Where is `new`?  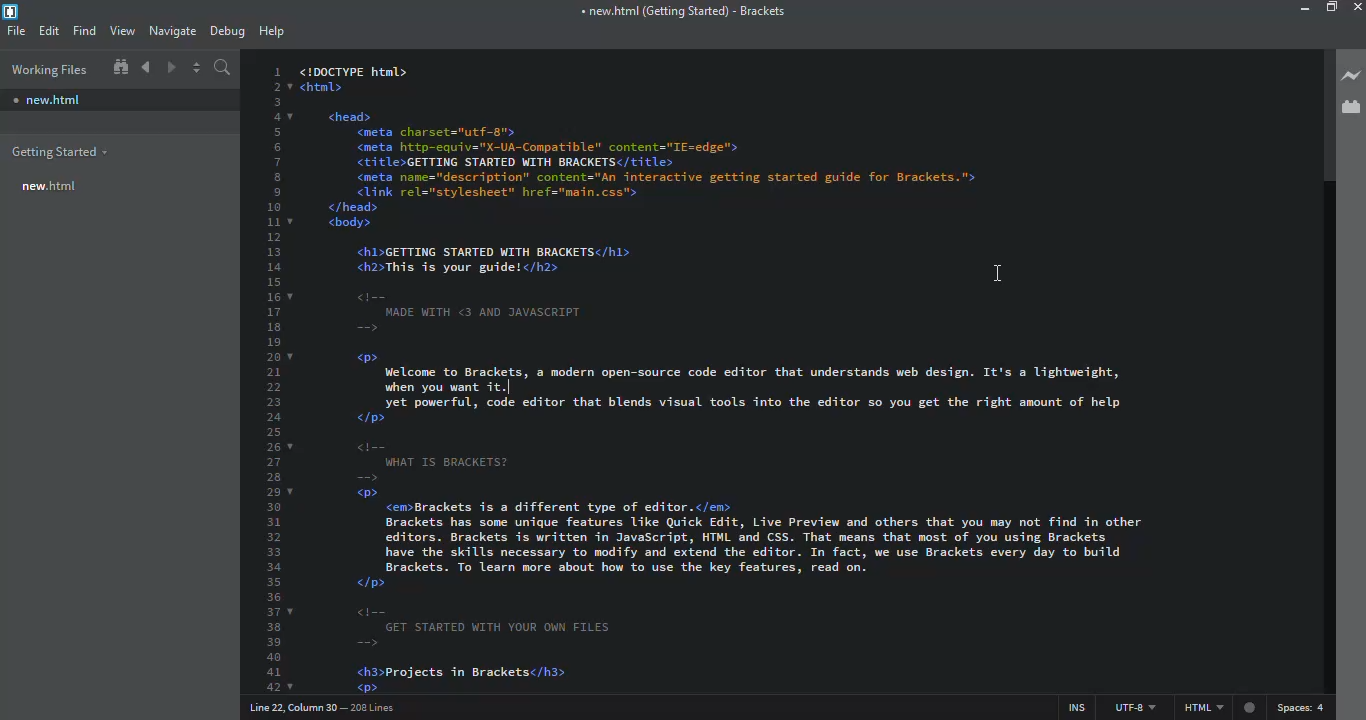 new is located at coordinates (48, 100).